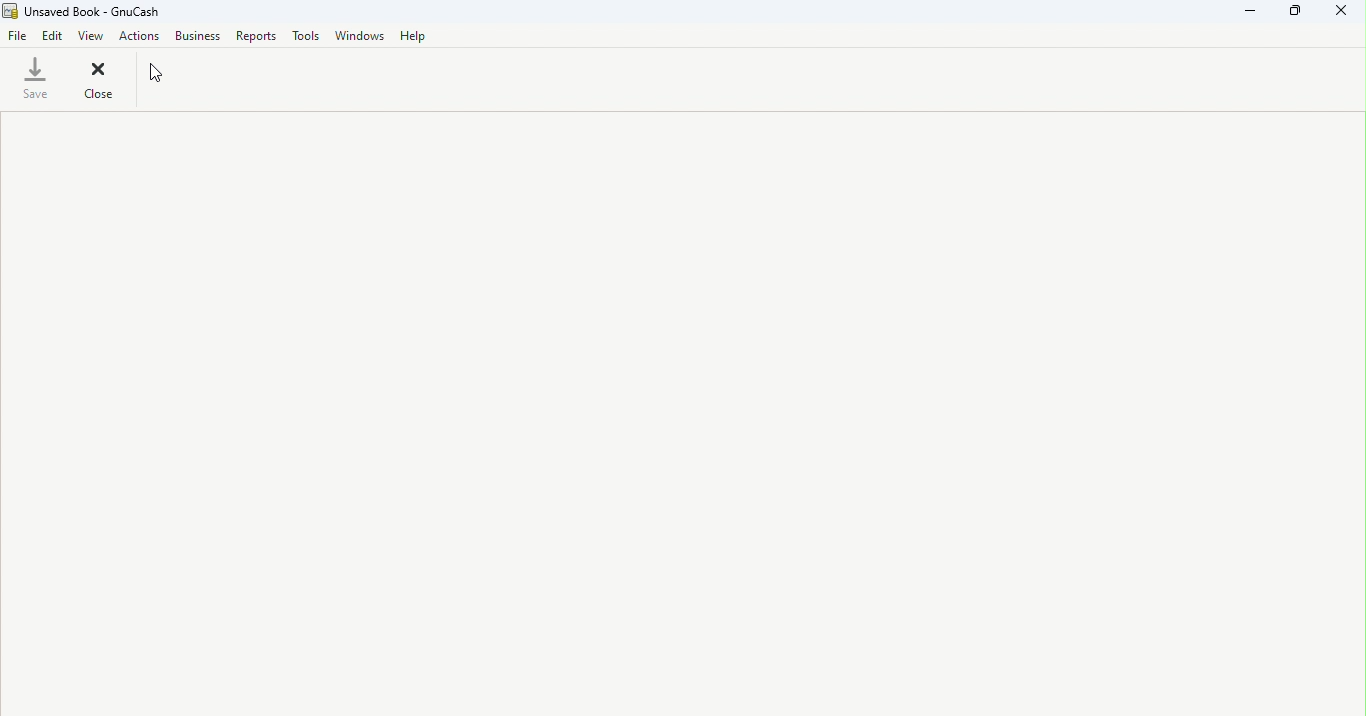 This screenshot has width=1366, height=716. What do you see at coordinates (309, 37) in the screenshot?
I see `Tools` at bounding box center [309, 37].